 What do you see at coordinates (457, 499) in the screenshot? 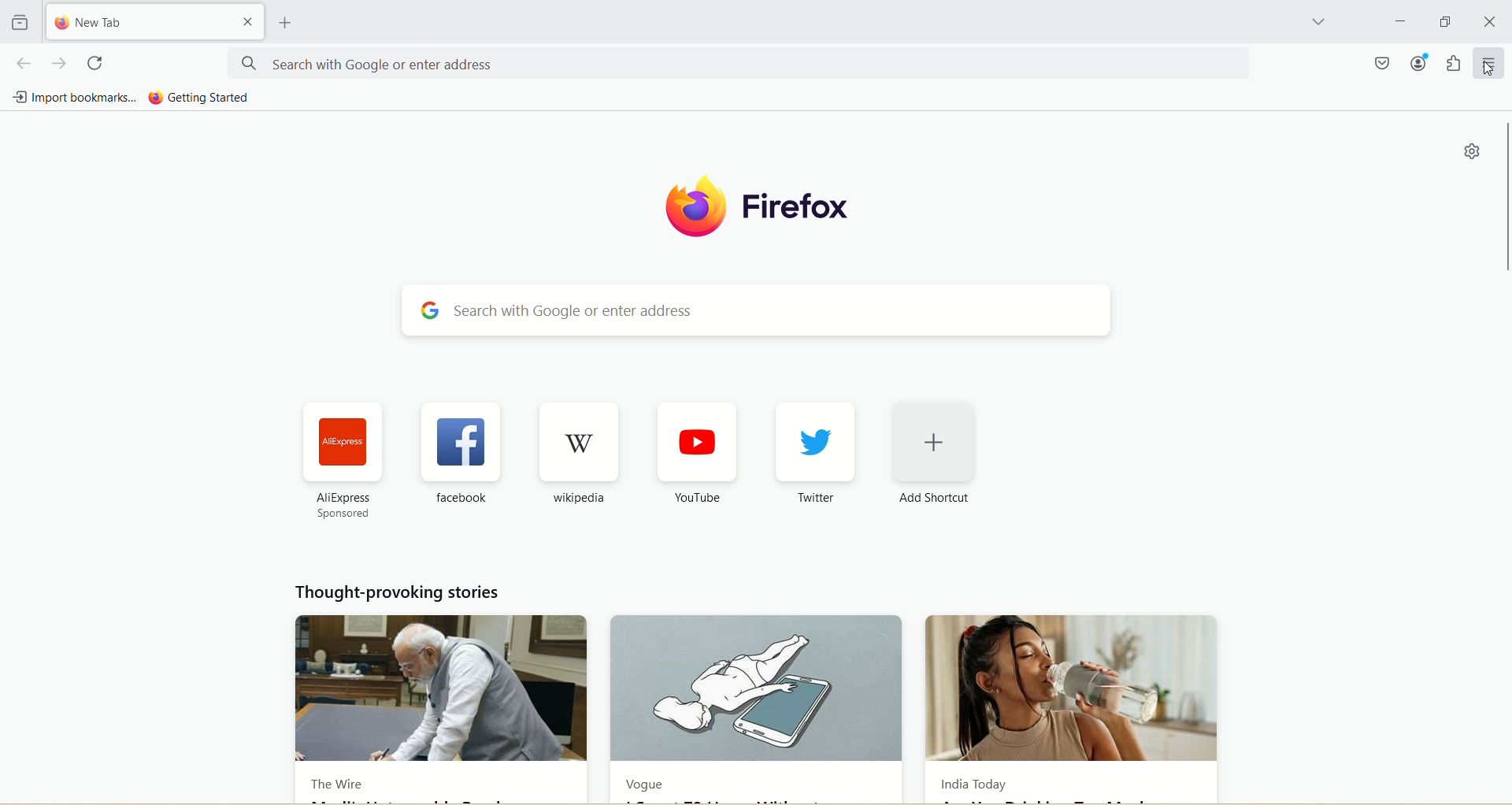
I see `facebook` at bounding box center [457, 499].